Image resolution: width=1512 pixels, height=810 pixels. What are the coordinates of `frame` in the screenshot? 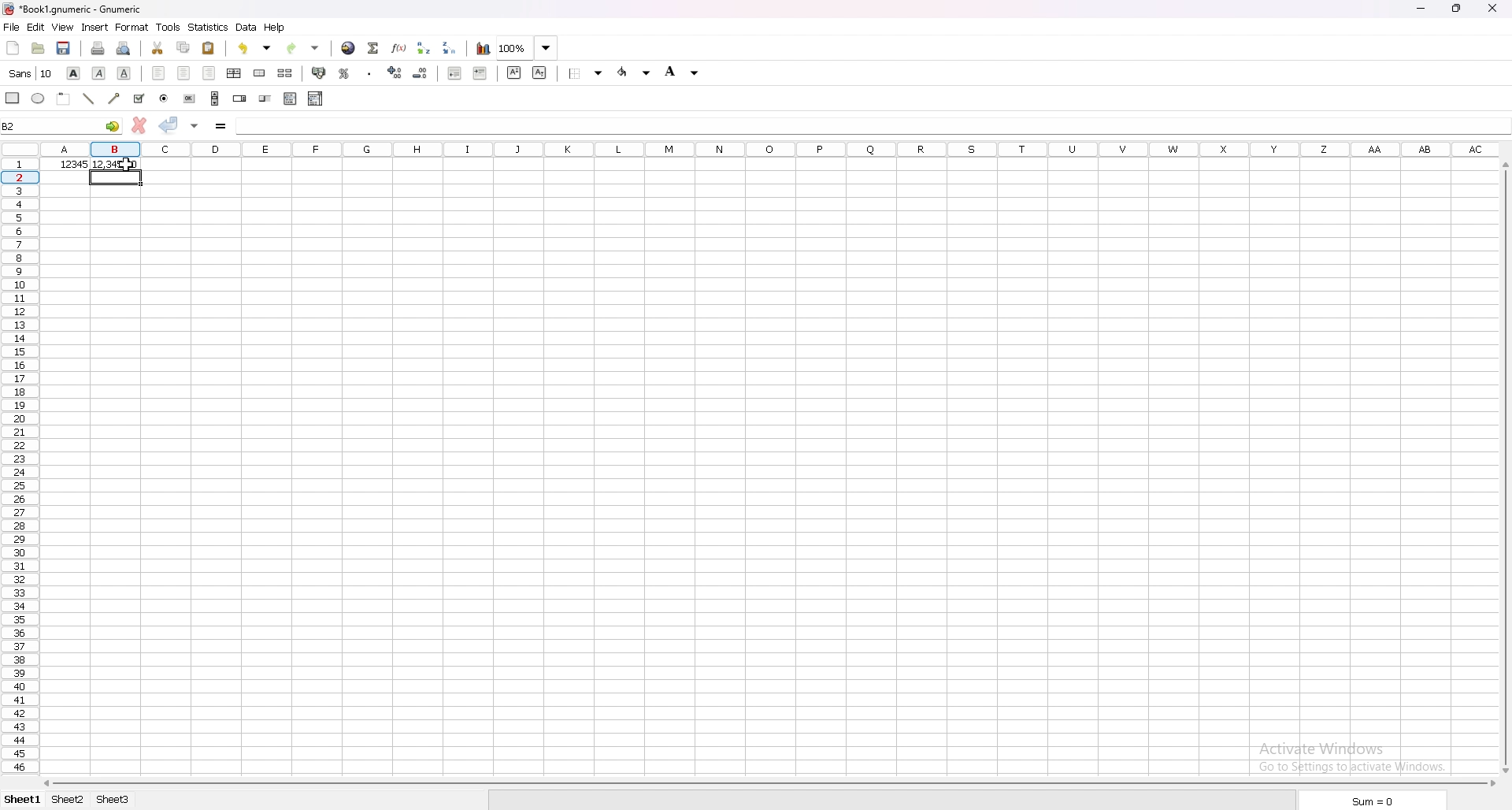 It's located at (64, 99).